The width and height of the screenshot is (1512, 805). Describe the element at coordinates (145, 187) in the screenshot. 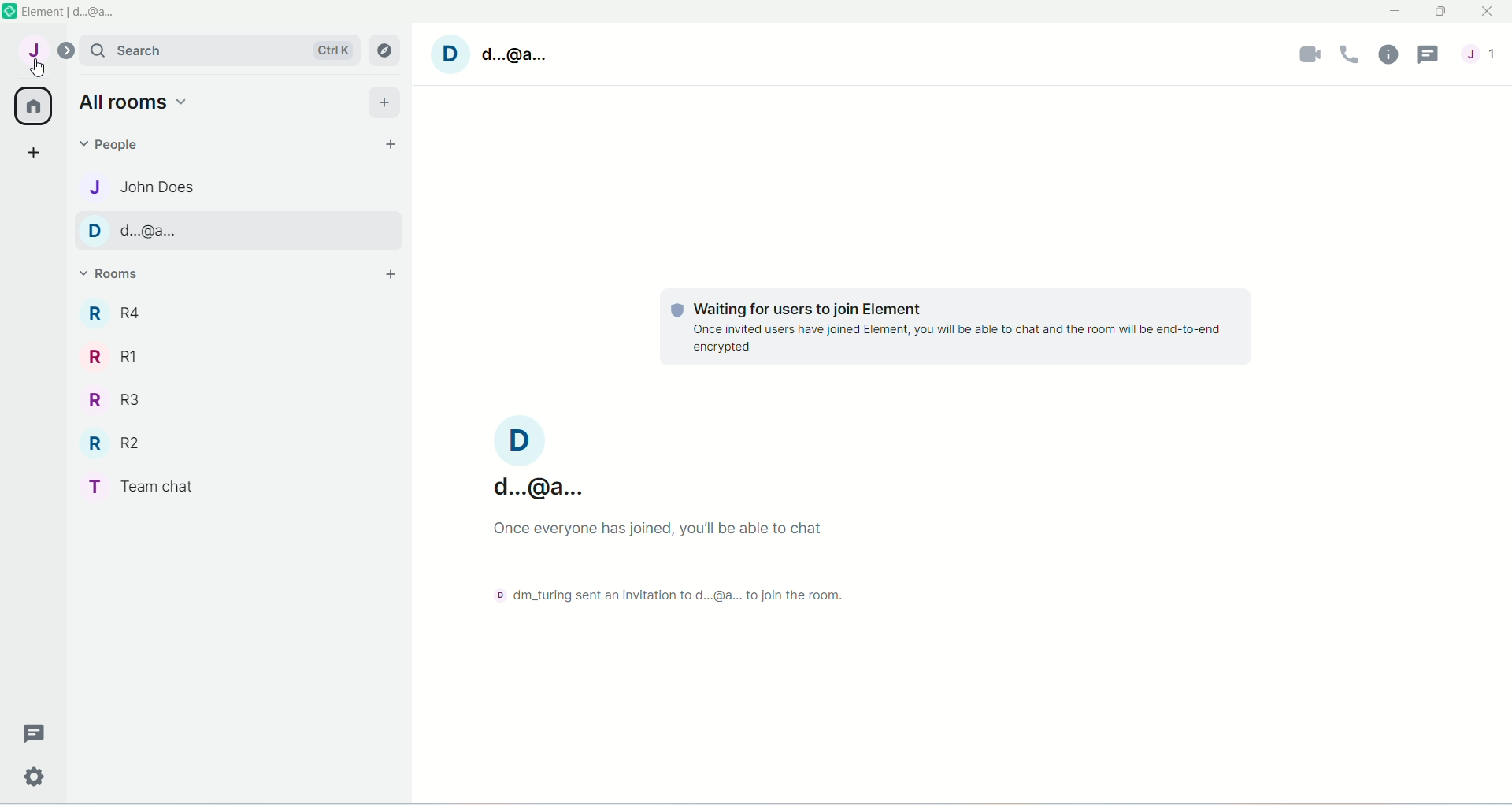

I see `Contact name-john does` at that location.